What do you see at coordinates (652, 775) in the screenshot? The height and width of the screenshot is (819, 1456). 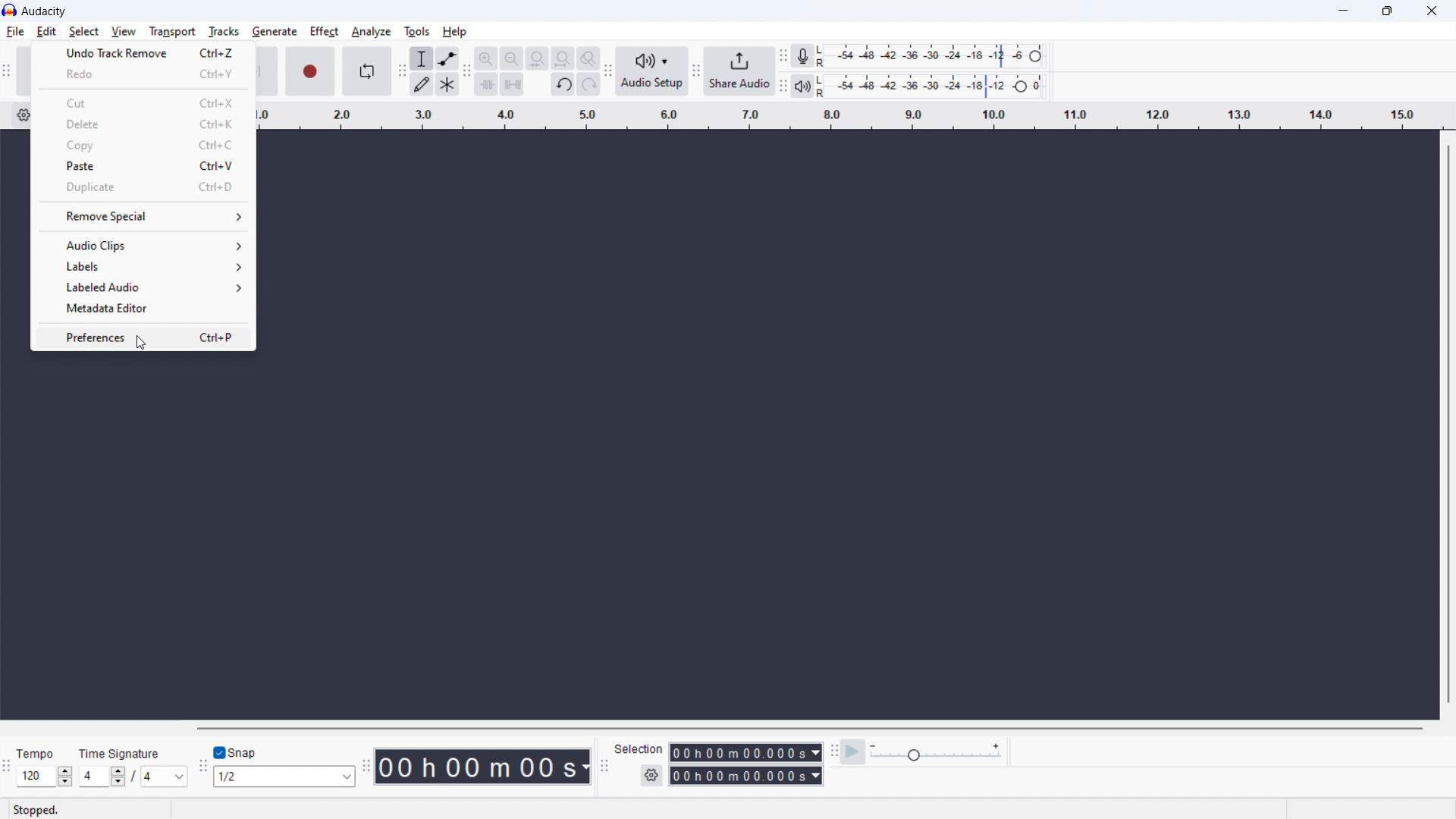 I see `selection settings` at bounding box center [652, 775].